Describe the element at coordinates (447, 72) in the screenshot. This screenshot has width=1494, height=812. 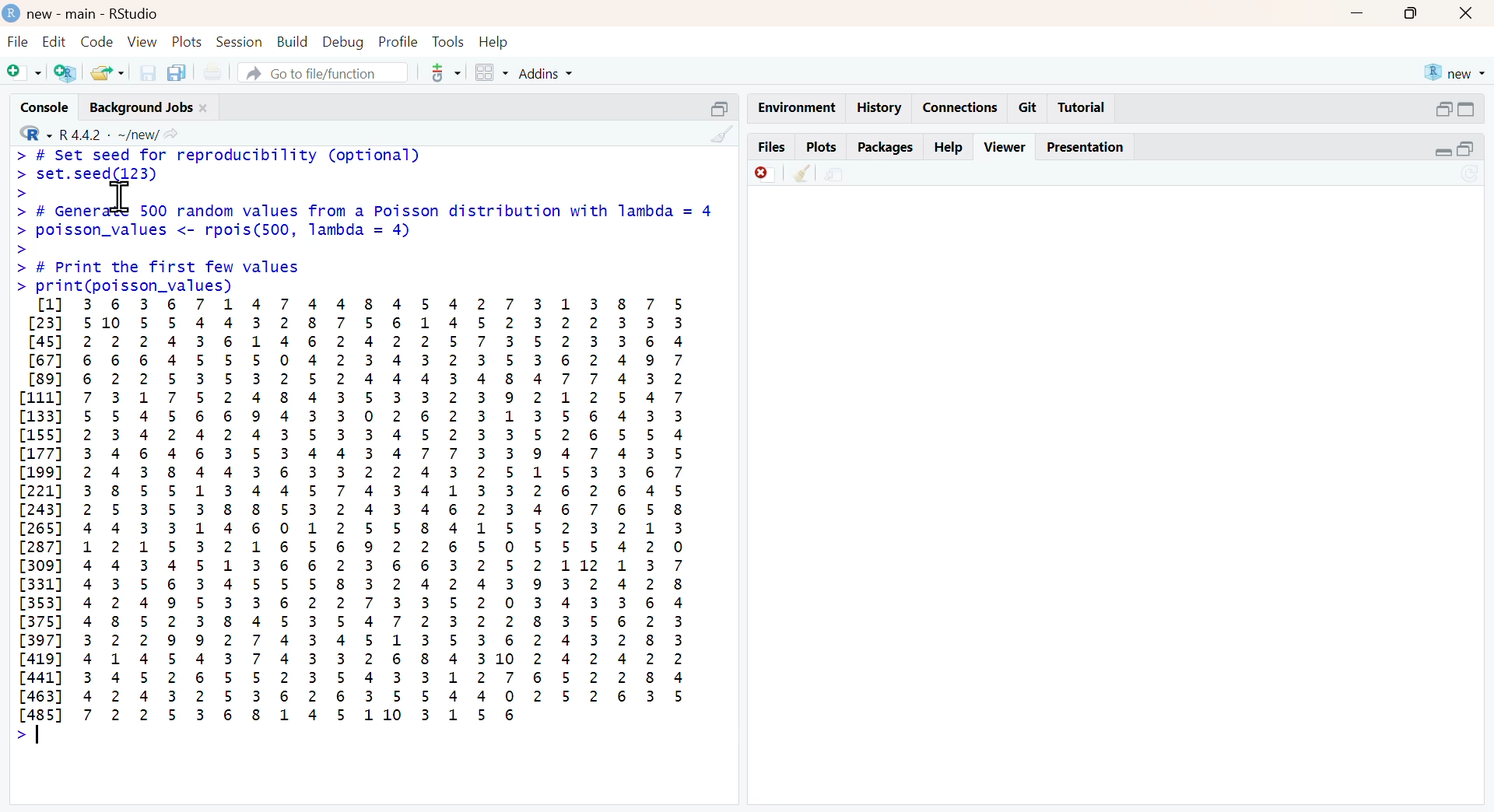
I see `tools` at that location.